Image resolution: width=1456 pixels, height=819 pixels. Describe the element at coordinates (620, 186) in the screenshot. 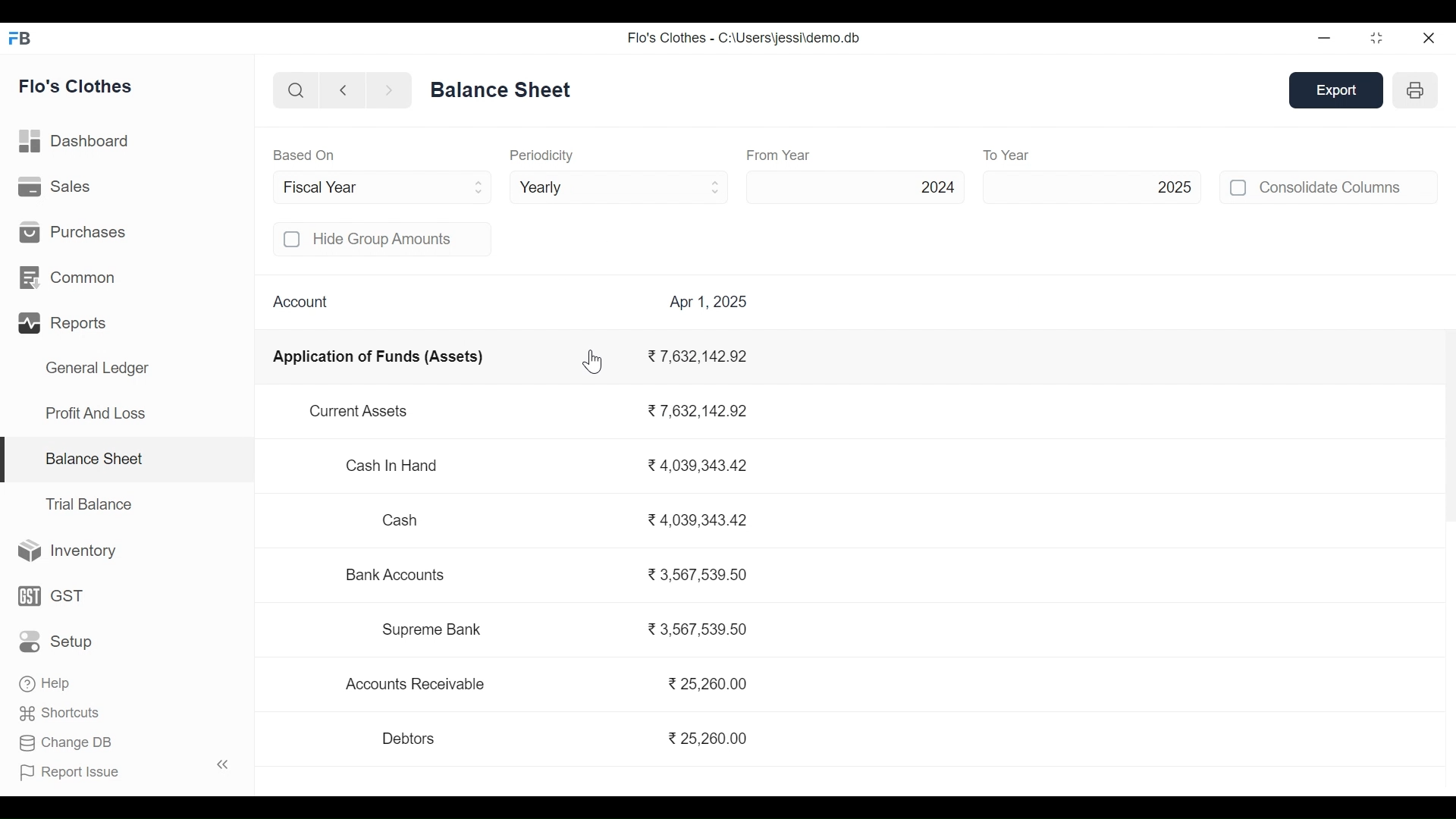

I see `Yearly` at that location.